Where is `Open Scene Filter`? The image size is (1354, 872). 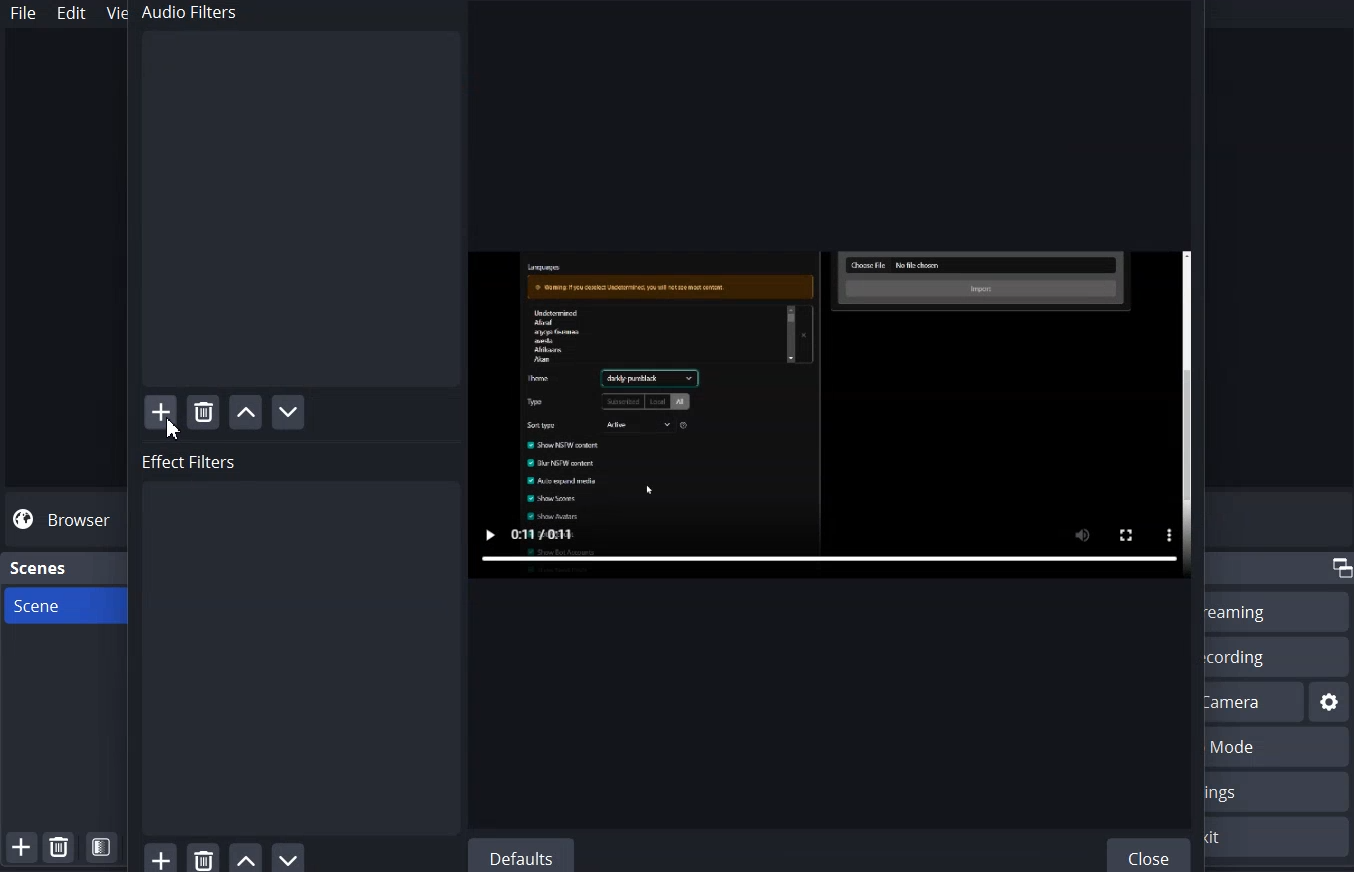 Open Scene Filter is located at coordinates (101, 847).